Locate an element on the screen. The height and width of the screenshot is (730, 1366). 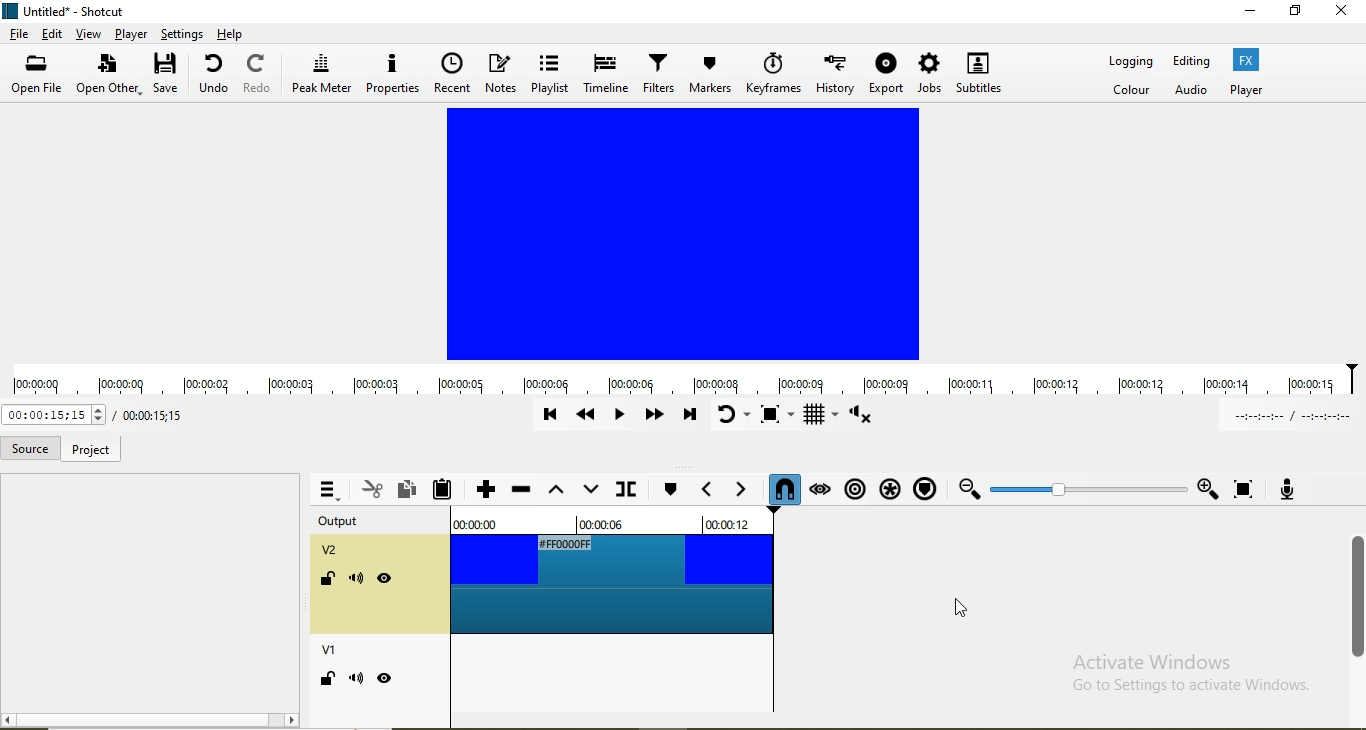
Zoom out is located at coordinates (967, 487).